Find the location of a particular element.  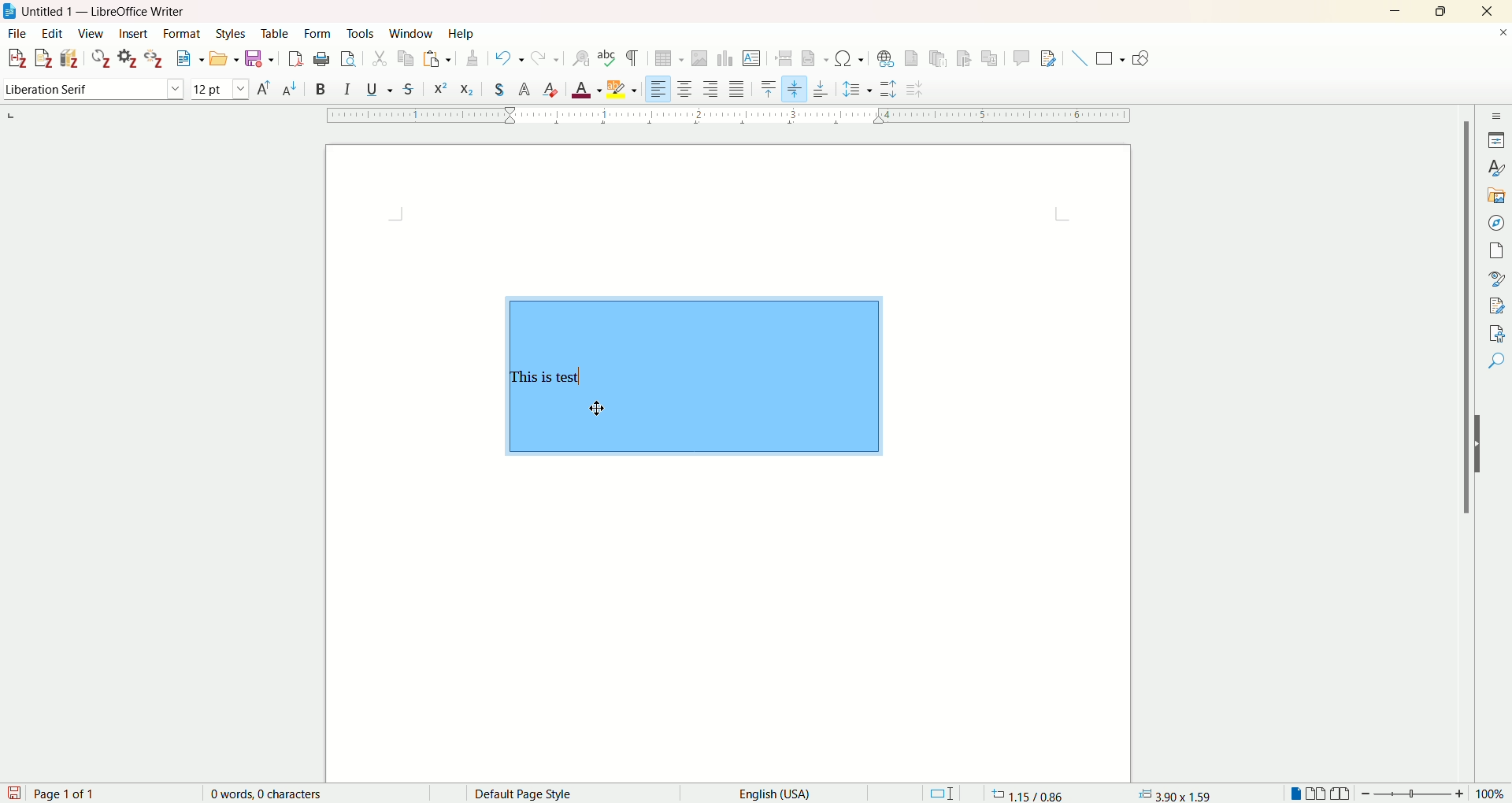

standard selection is located at coordinates (942, 792).